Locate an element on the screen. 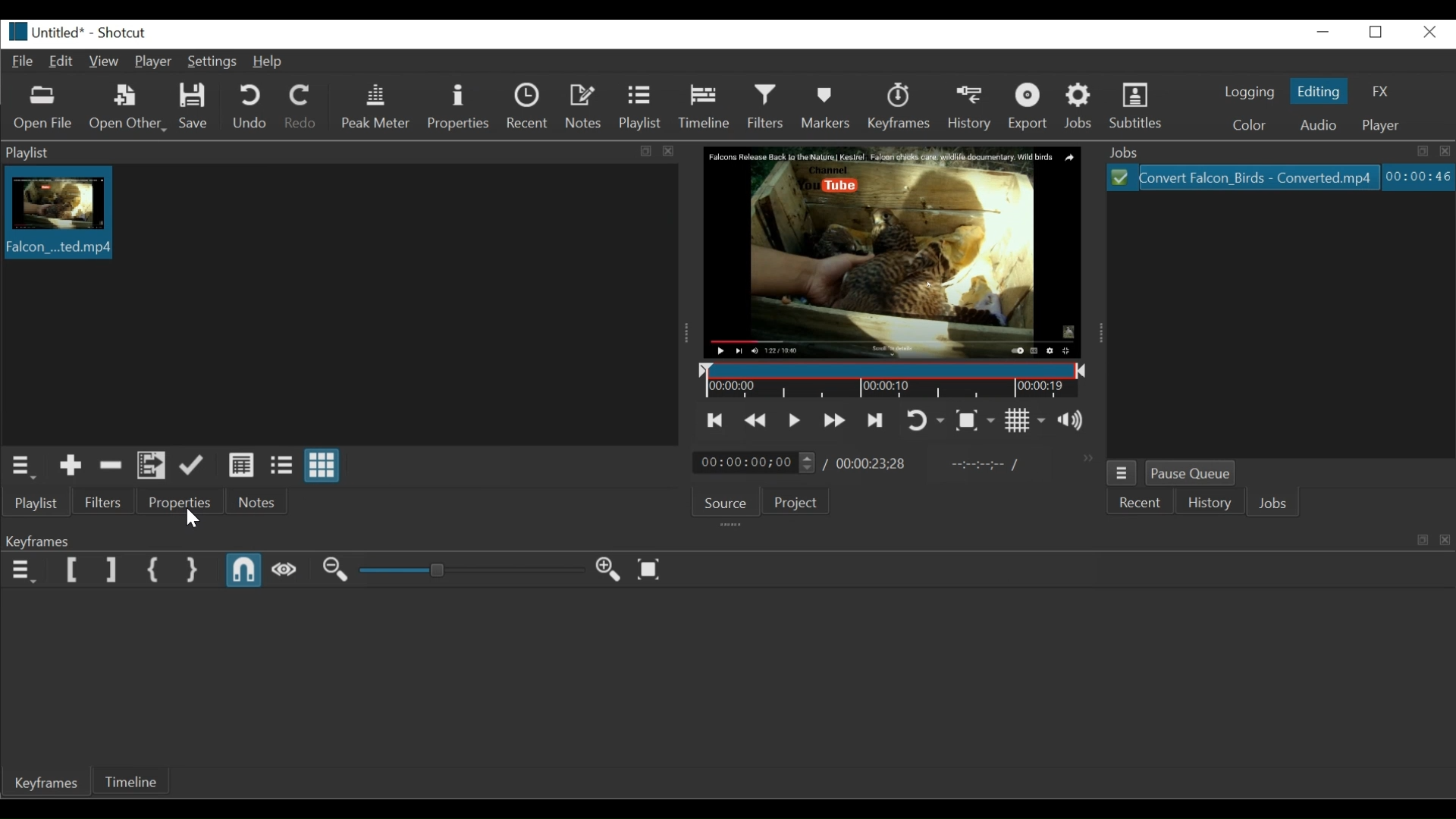 This screenshot has width=1456, height=819. Current location is located at coordinates (752, 462).